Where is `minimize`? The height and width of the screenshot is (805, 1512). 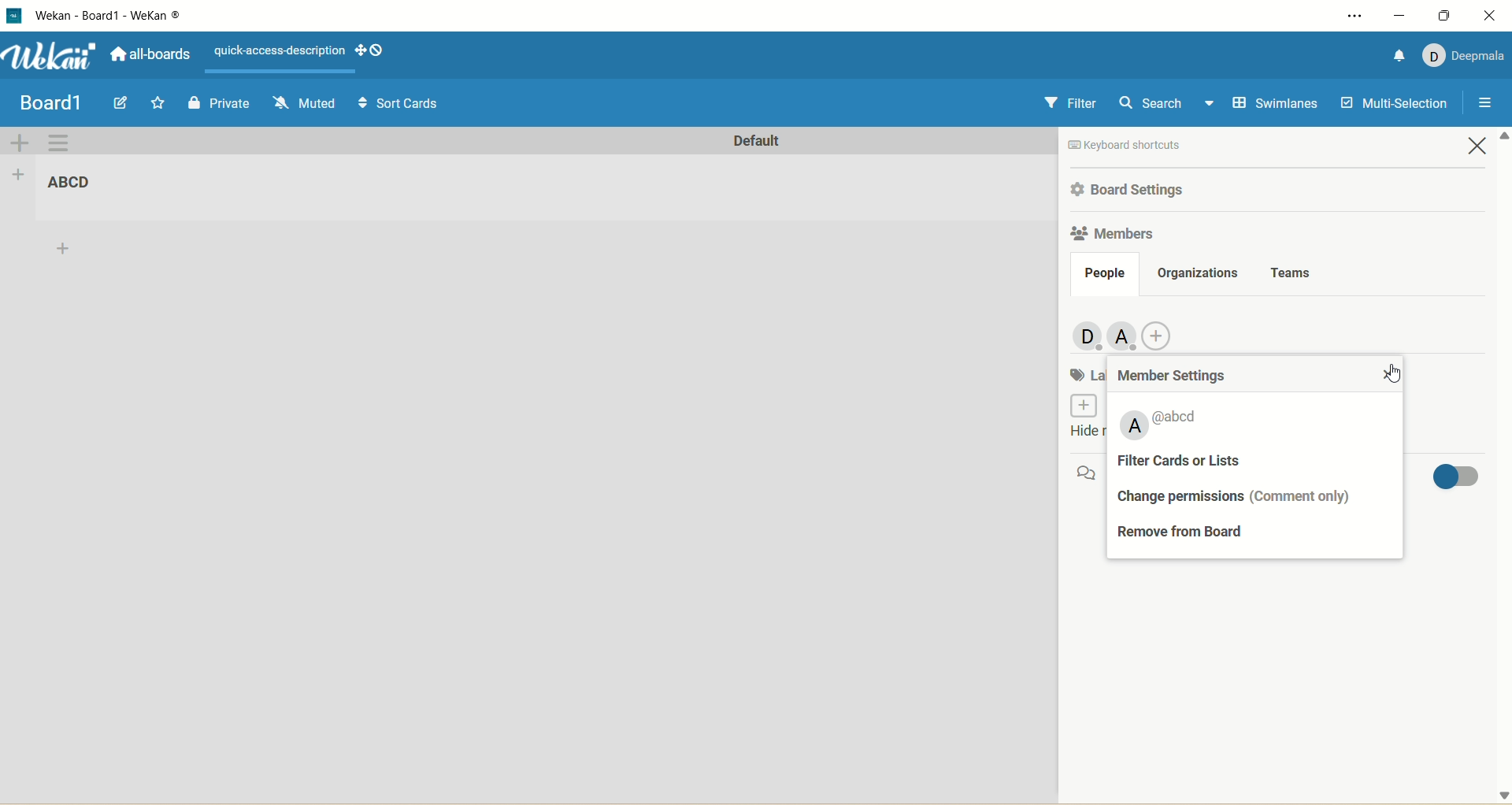 minimize is located at coordinates (1397, 15).